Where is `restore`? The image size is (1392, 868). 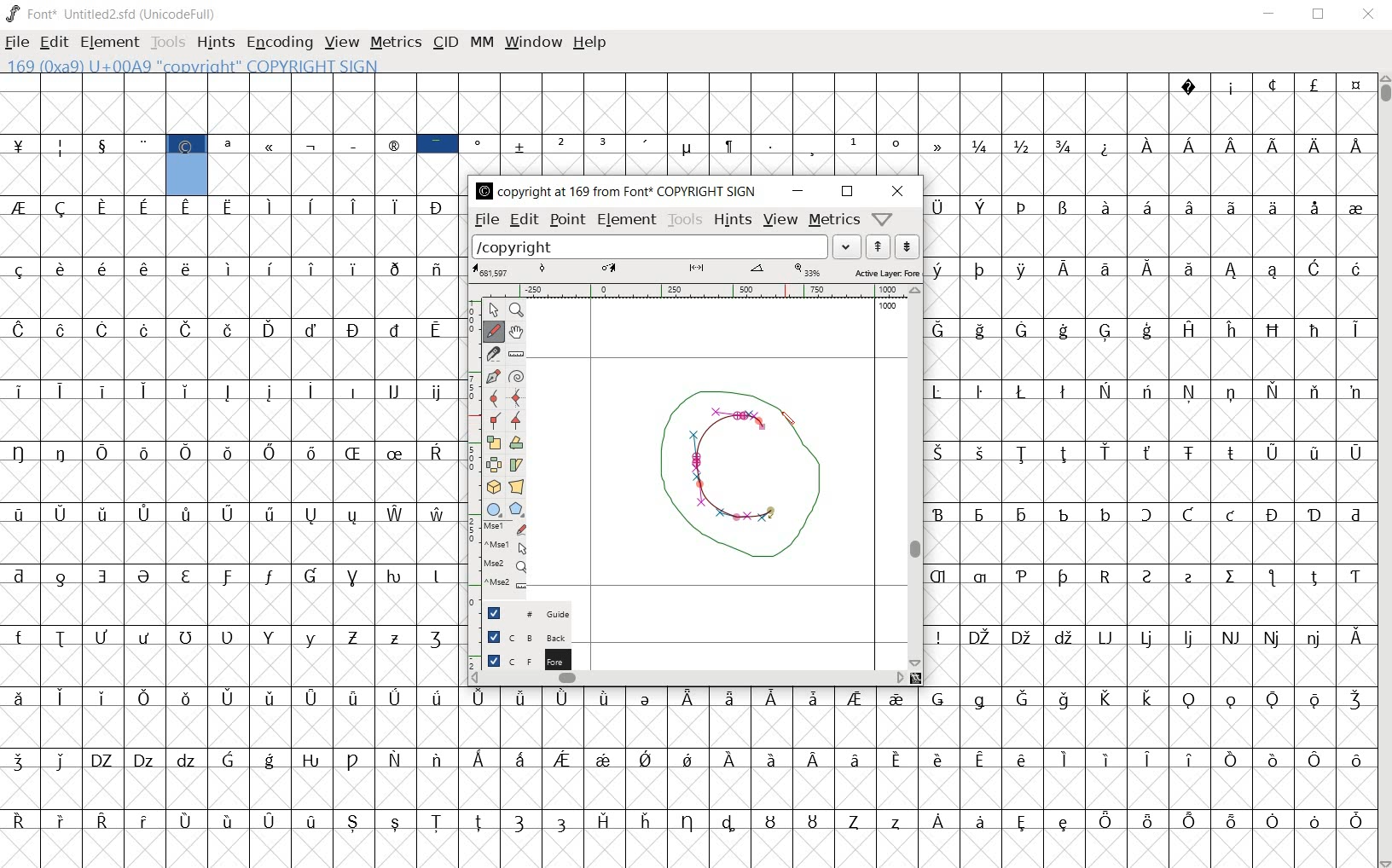 restore is located at coordinates (1320, 14).